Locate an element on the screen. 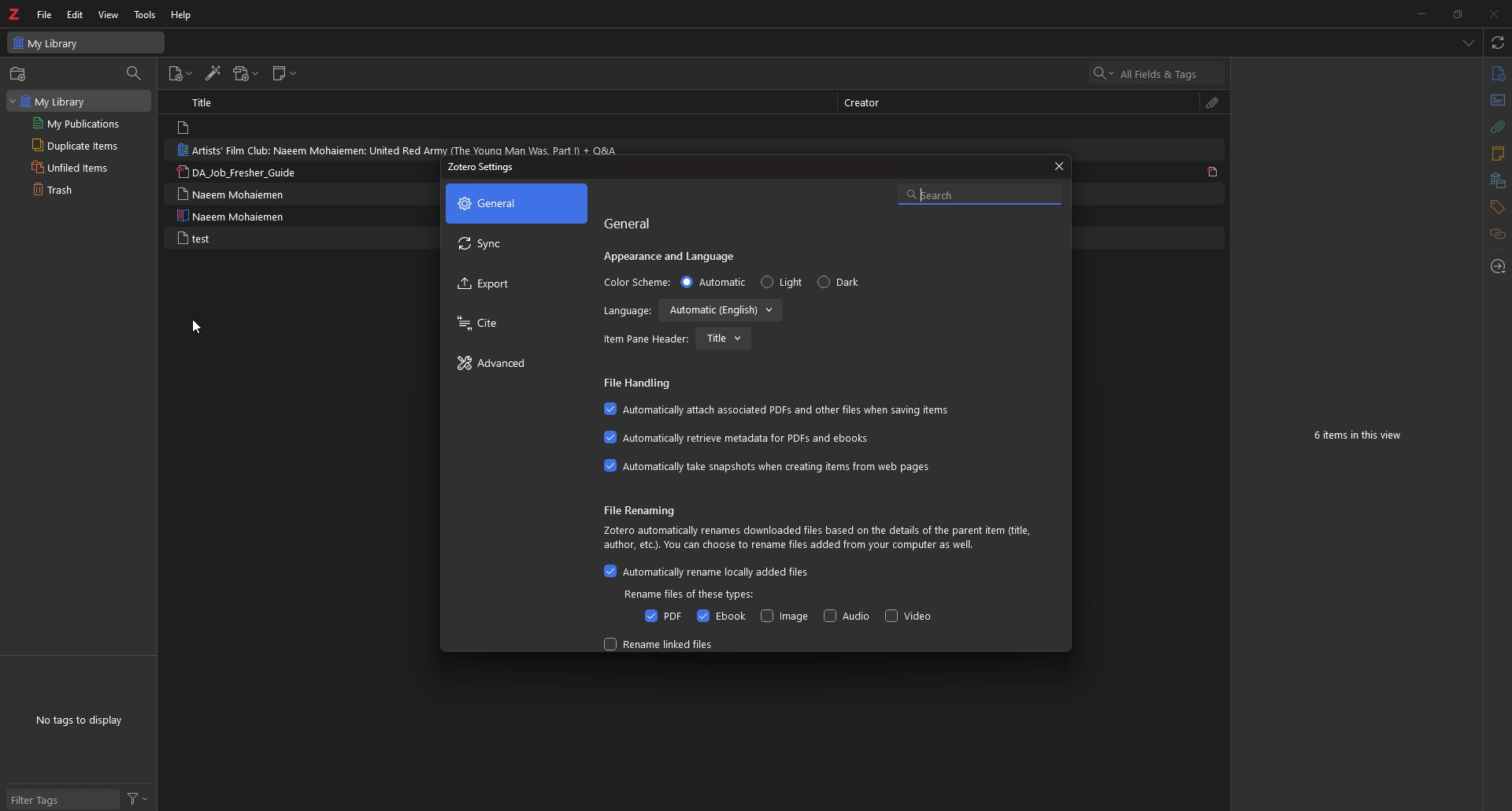 The width and height of the screenshot is (1512, 811). automatically retrieve metadata is located at coordinates (743, 439).